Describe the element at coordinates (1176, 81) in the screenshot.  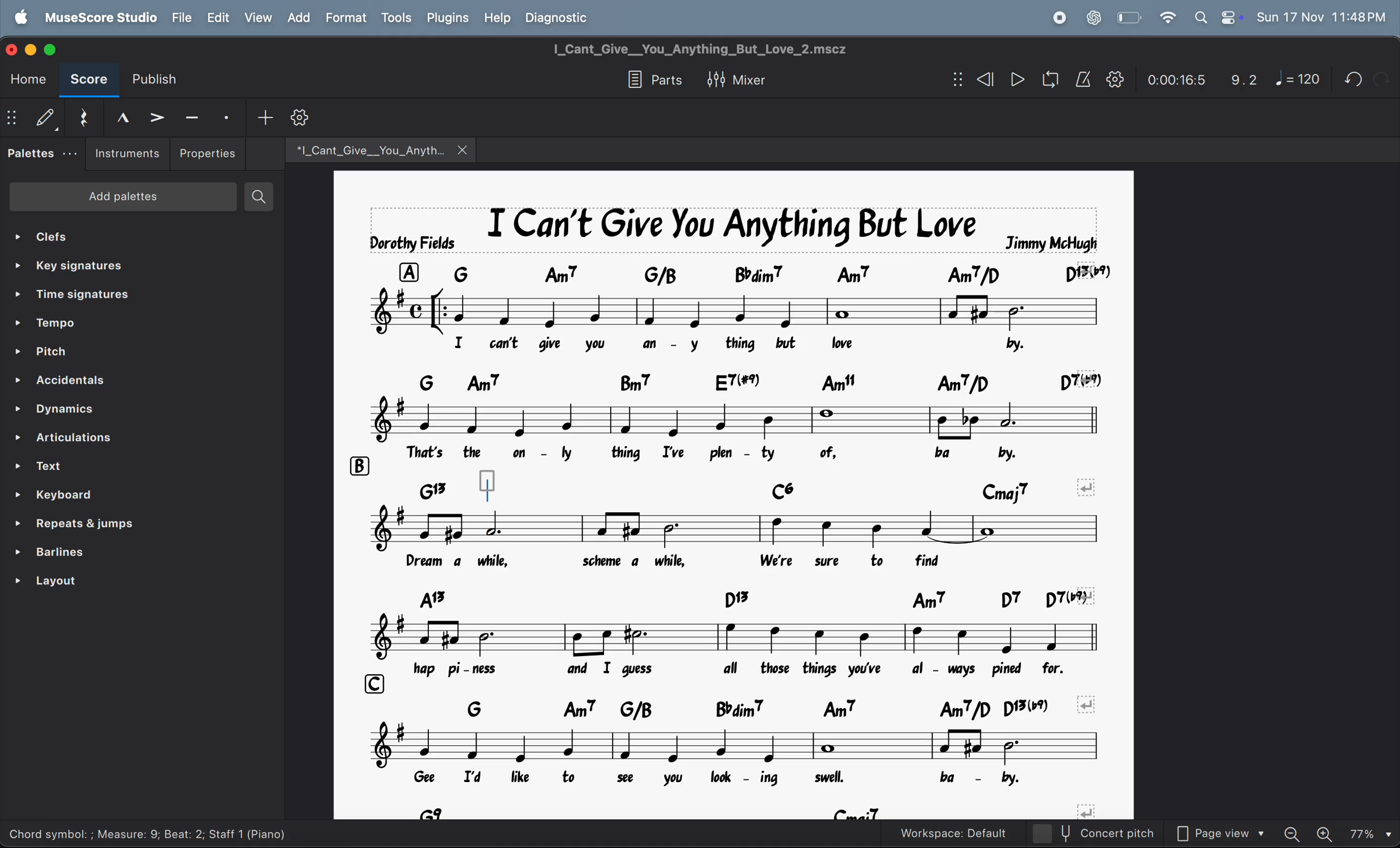
I see `0.00.24.0` at that location.